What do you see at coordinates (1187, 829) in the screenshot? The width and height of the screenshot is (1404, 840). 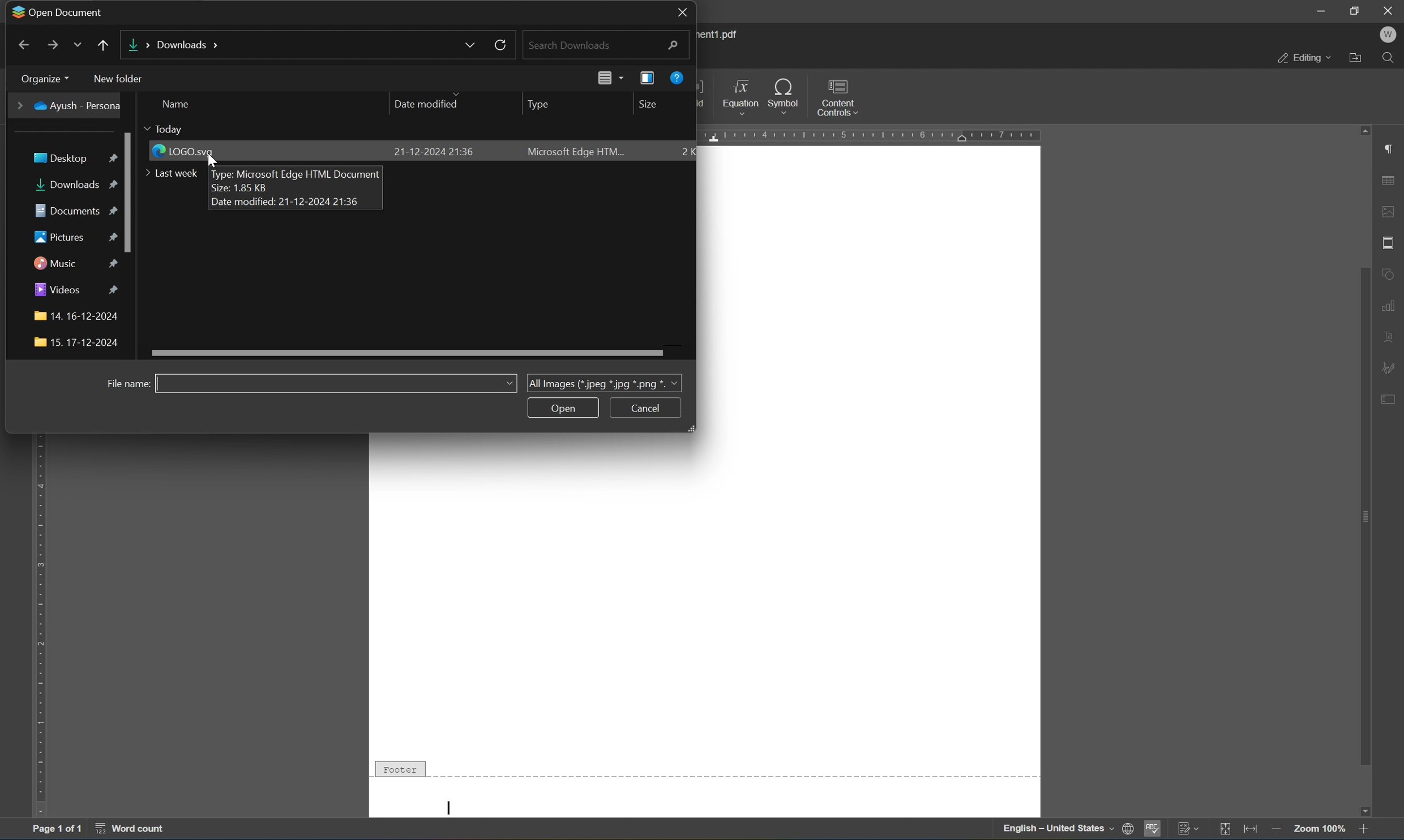 I see `track changes` at bounding box center [1187, 829].